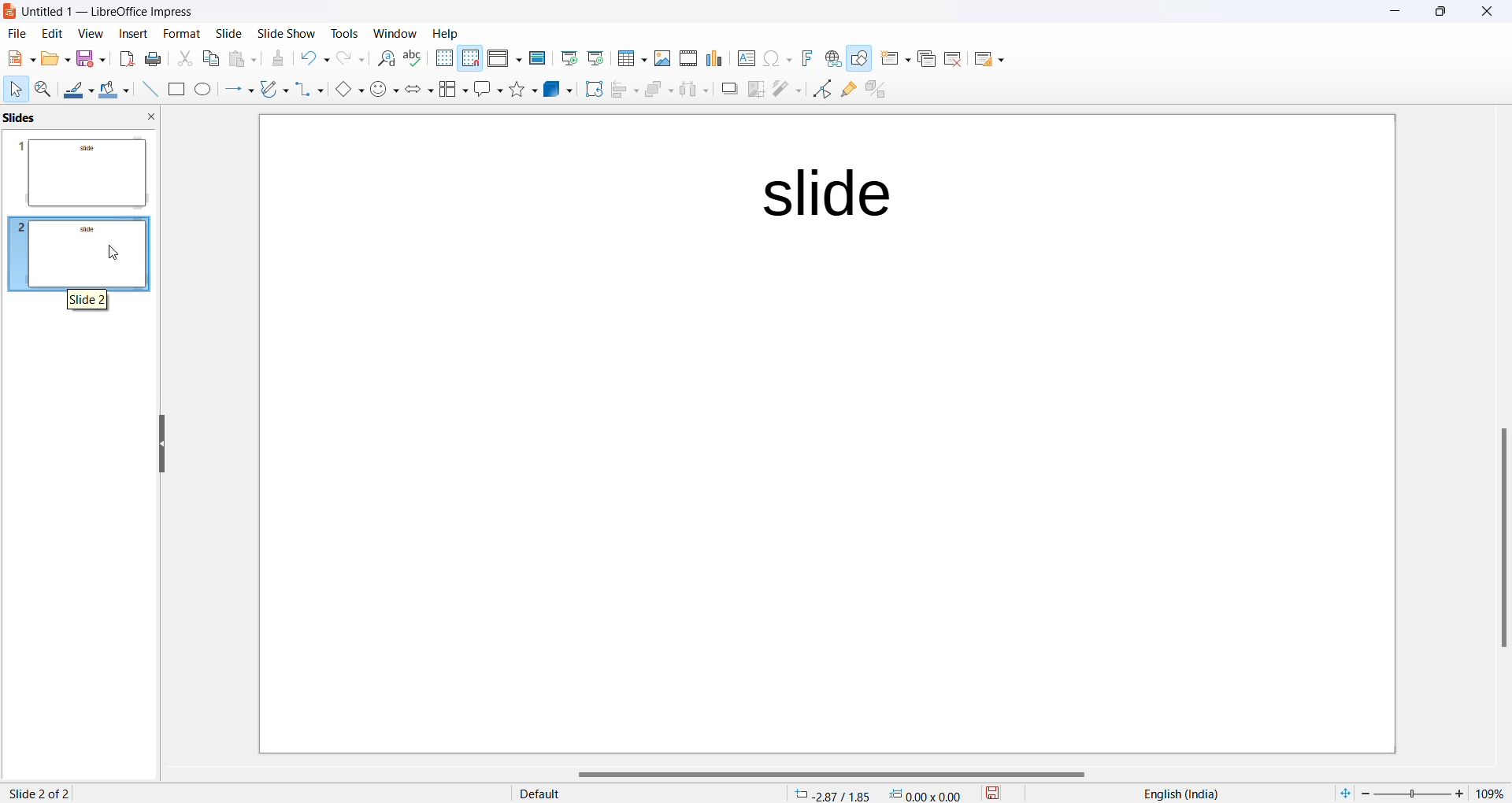 The width and height of the screenshot is (1512, 803). What do you see at coordinates (87, 35) in the screenshot?
I see `view` at bounding box center [87, 35].